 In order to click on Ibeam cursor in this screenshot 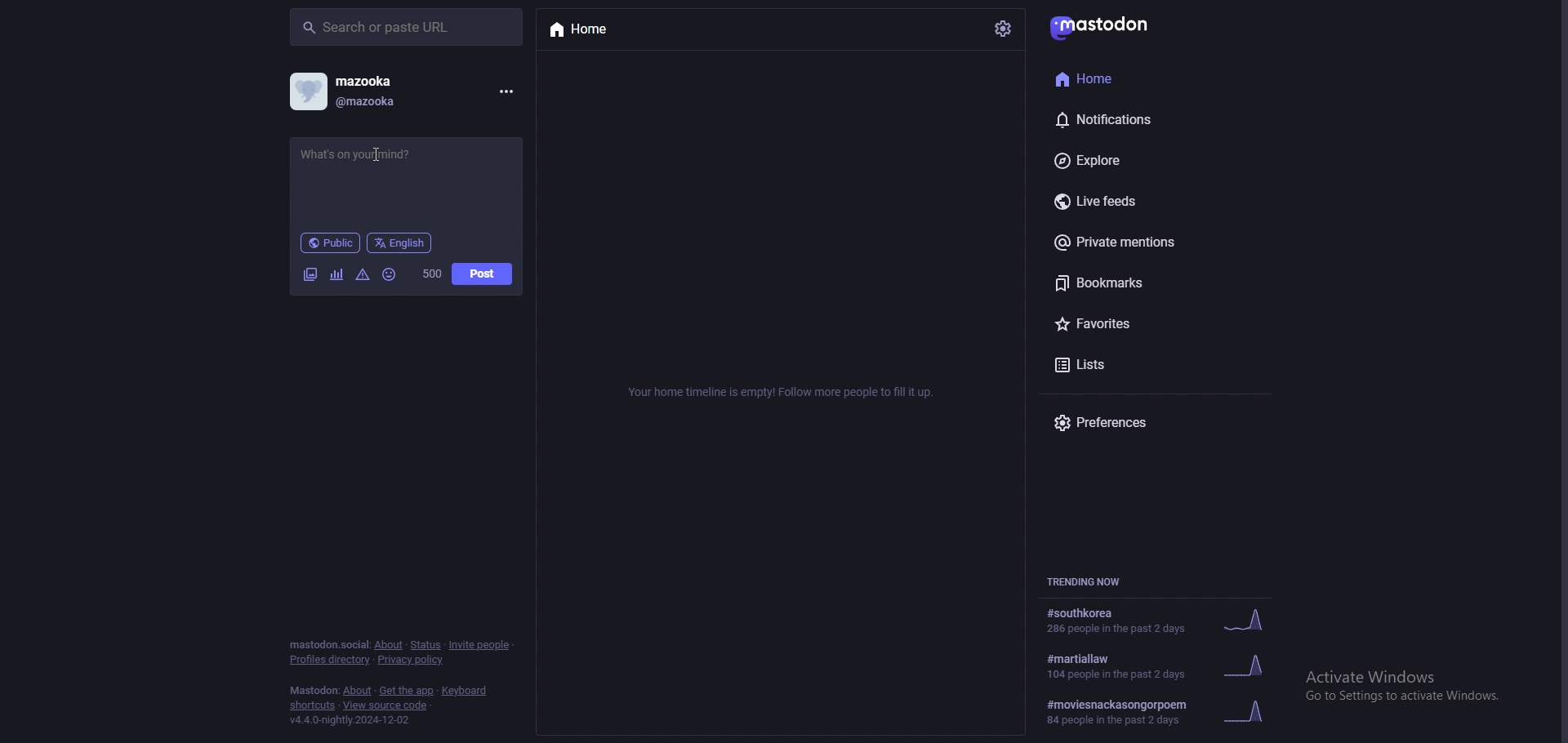, I will do `click(379, 157)`.